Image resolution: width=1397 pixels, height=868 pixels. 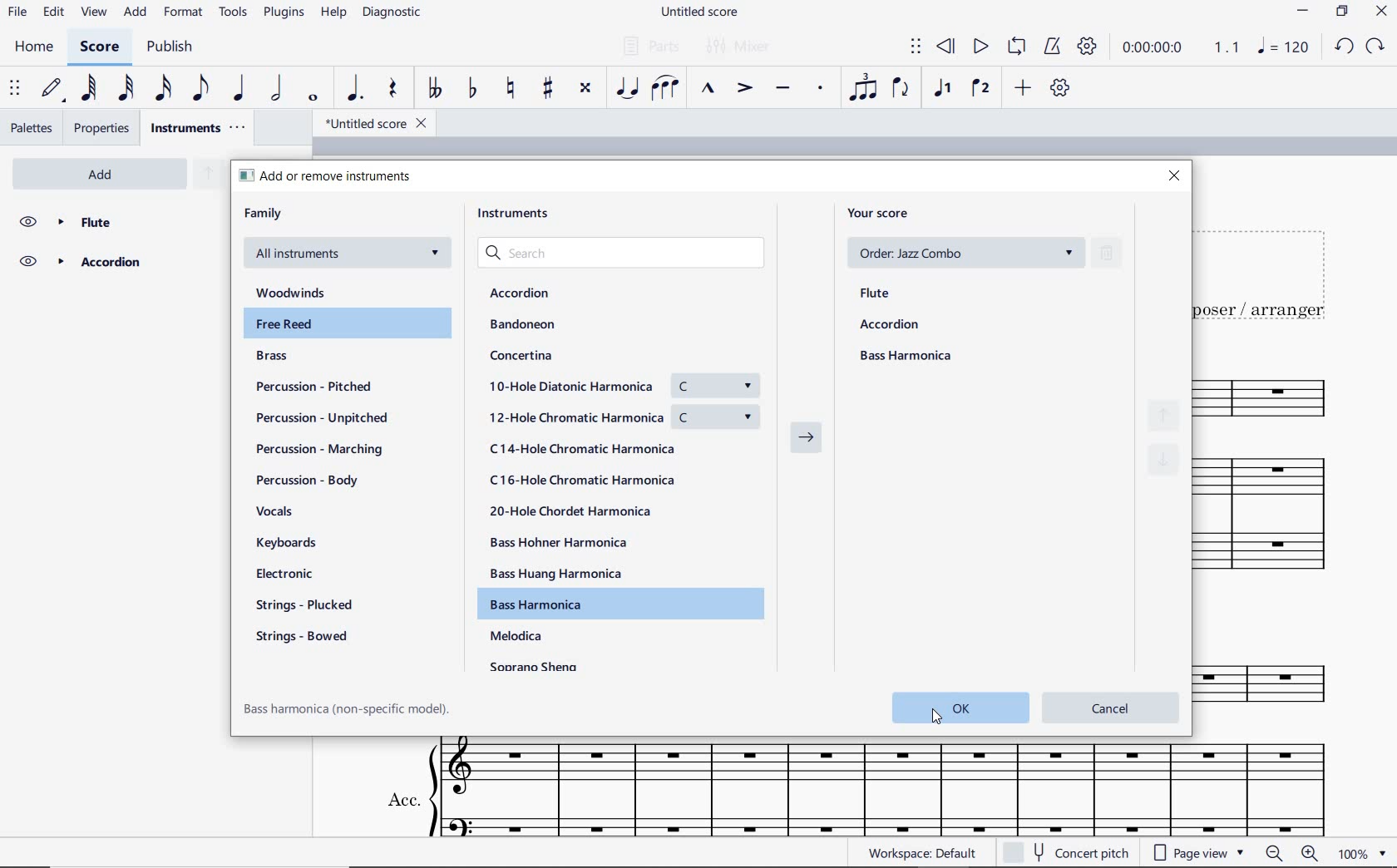 What do you see at coordinates (584, 512) in the screenshot?
I see `20-Hole Chordet Harmonica` at bounding box center [584, 512].